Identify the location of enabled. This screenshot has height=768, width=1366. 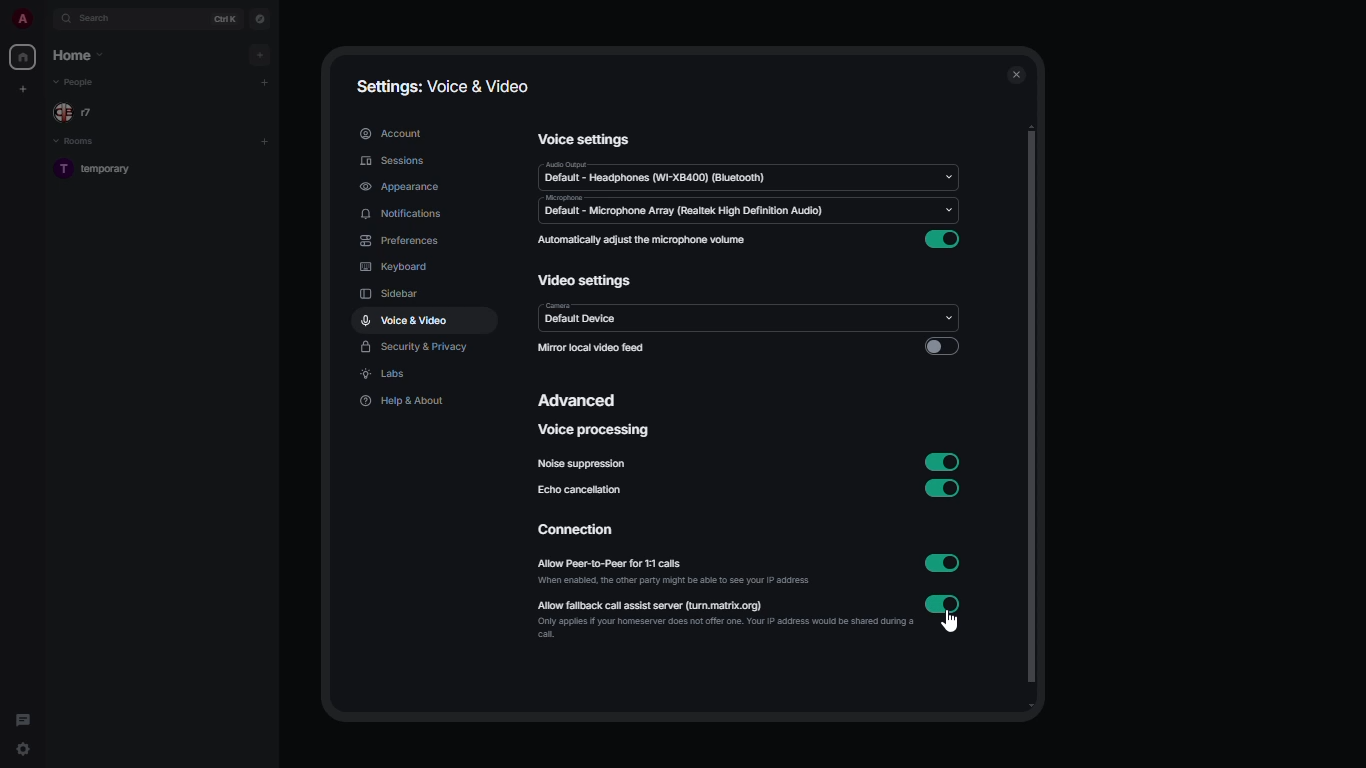
(944, 461).